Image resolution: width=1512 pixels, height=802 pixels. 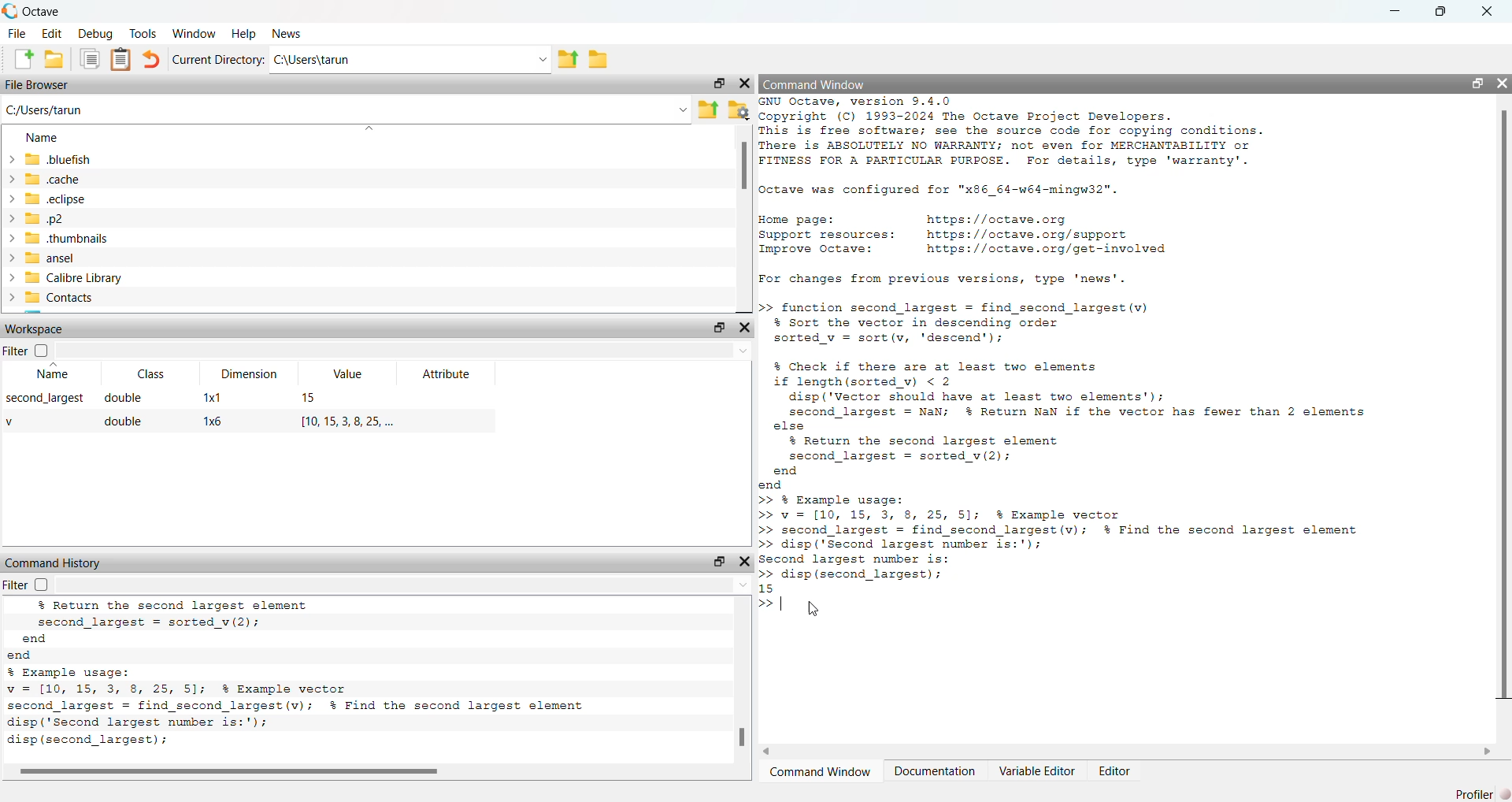 I want to click on dimension, so click(x=253, y=374).